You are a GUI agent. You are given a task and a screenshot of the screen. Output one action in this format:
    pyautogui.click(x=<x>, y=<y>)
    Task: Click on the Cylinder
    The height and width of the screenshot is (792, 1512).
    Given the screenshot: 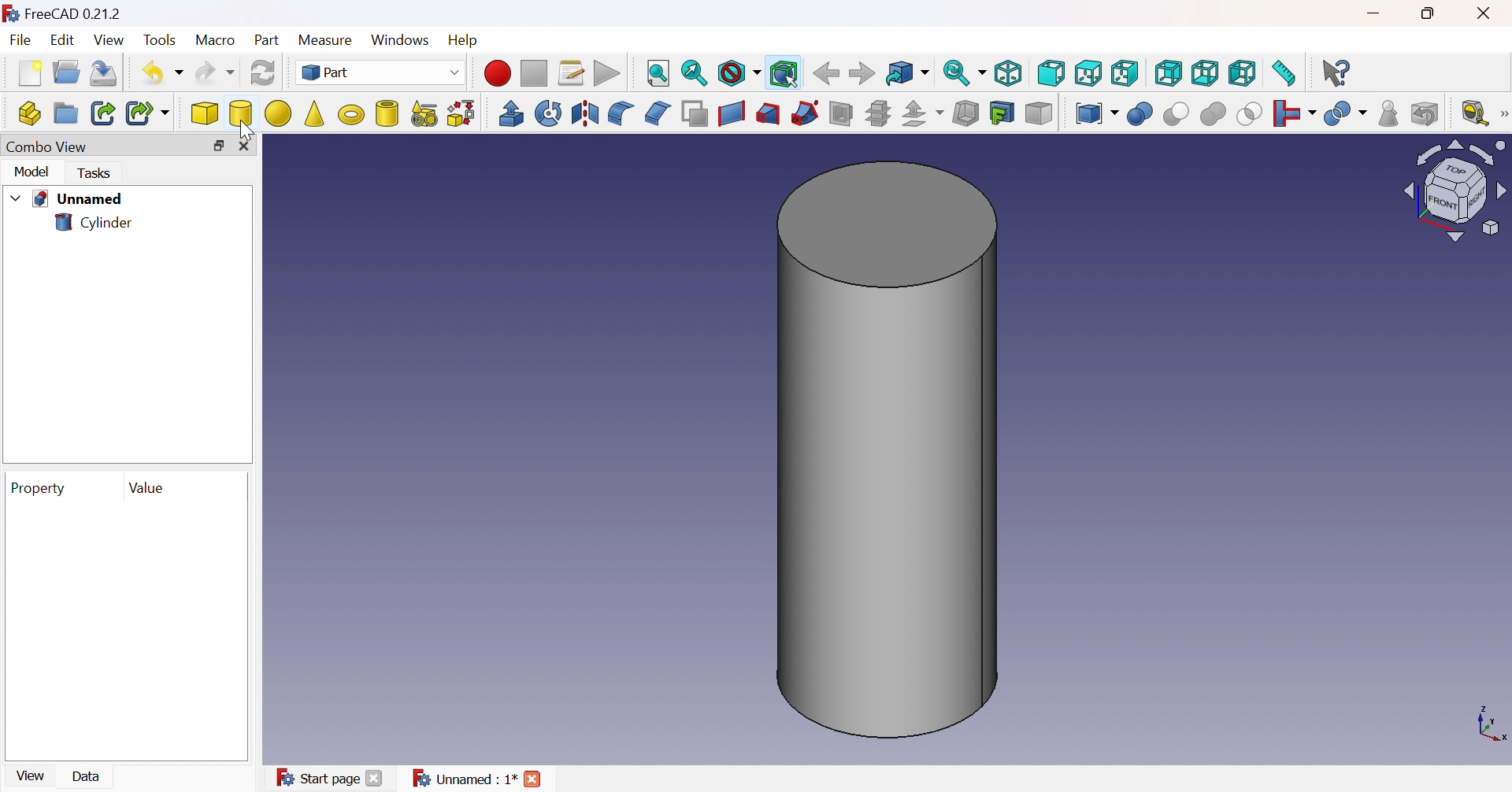 What is the action you would take?
    pyautogui.click(x=888, y=450)
    